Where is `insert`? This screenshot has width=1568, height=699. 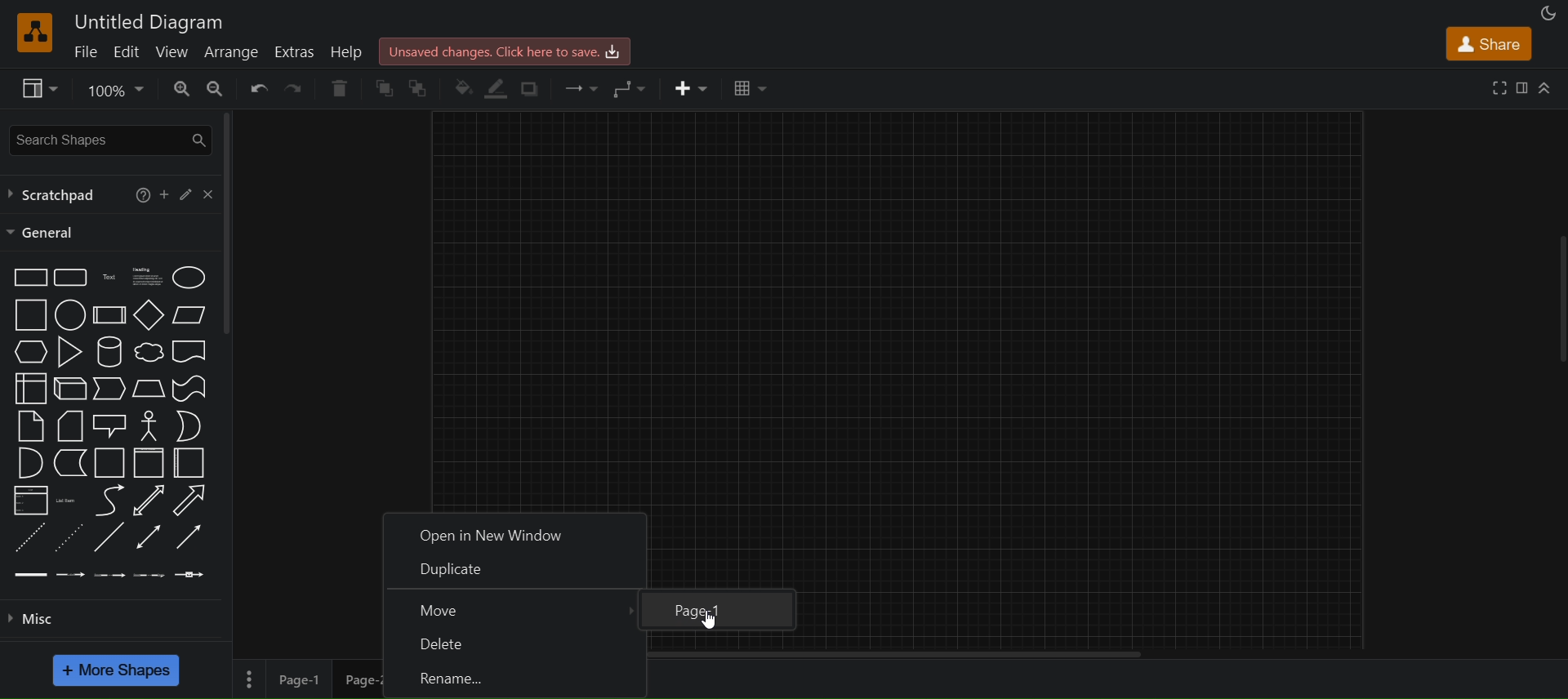 insert is located at coordinates (692, 87).